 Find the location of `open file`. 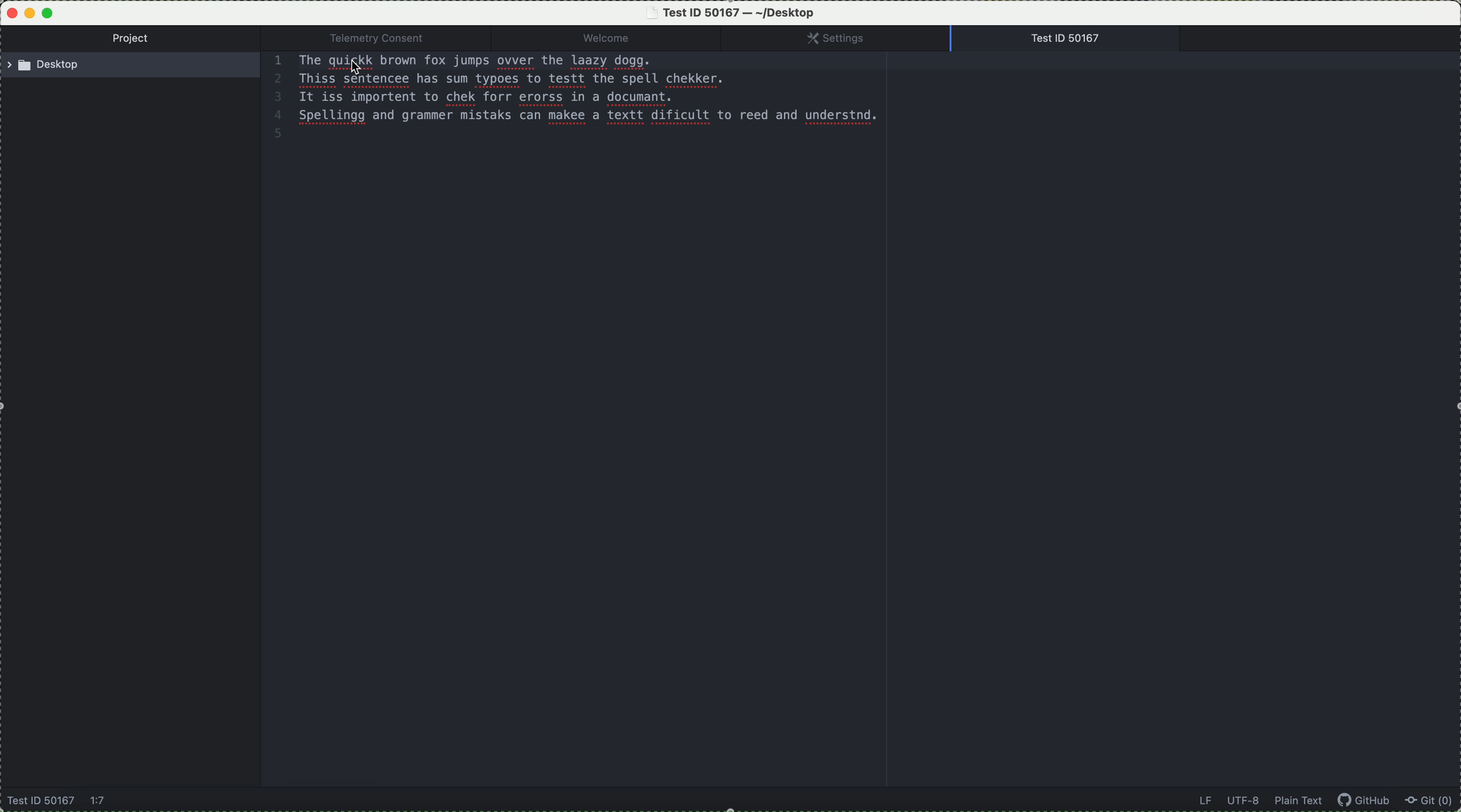

open file is located at coordinates (1070, 39).